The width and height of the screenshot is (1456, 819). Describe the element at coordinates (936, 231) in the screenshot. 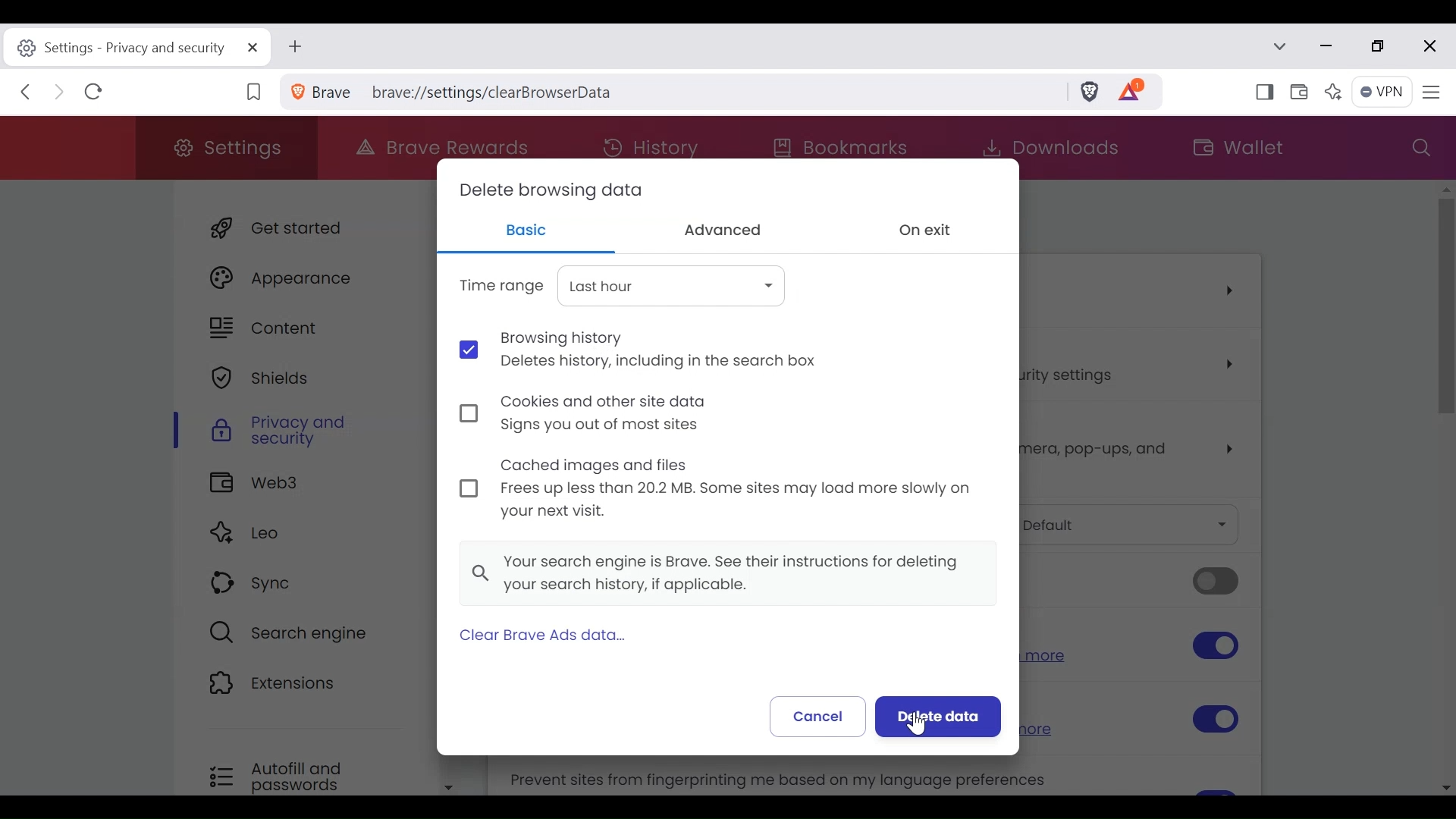

I see `On exit` at that location.